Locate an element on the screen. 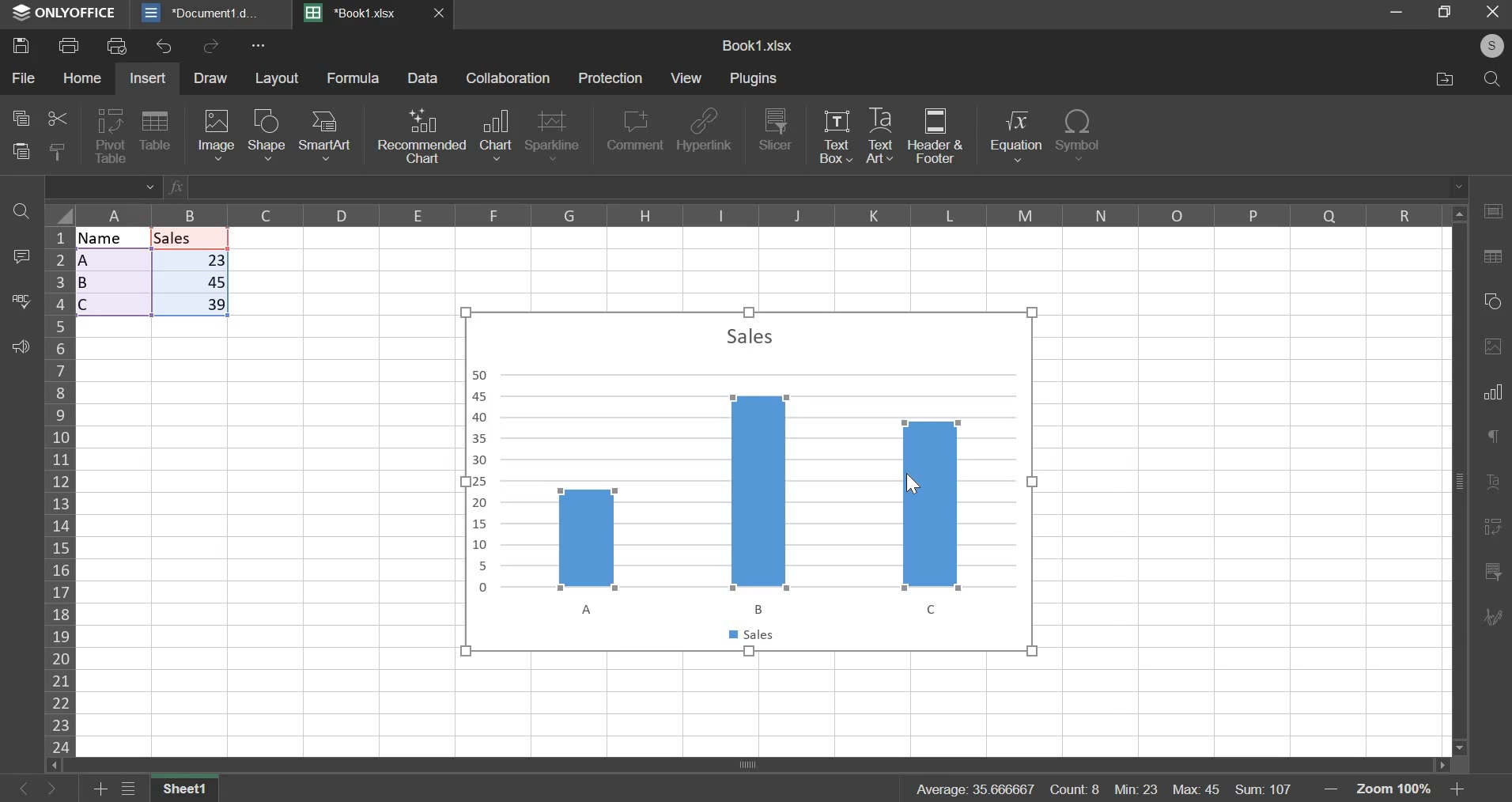  maximize is located at coordinates (1445, 16).